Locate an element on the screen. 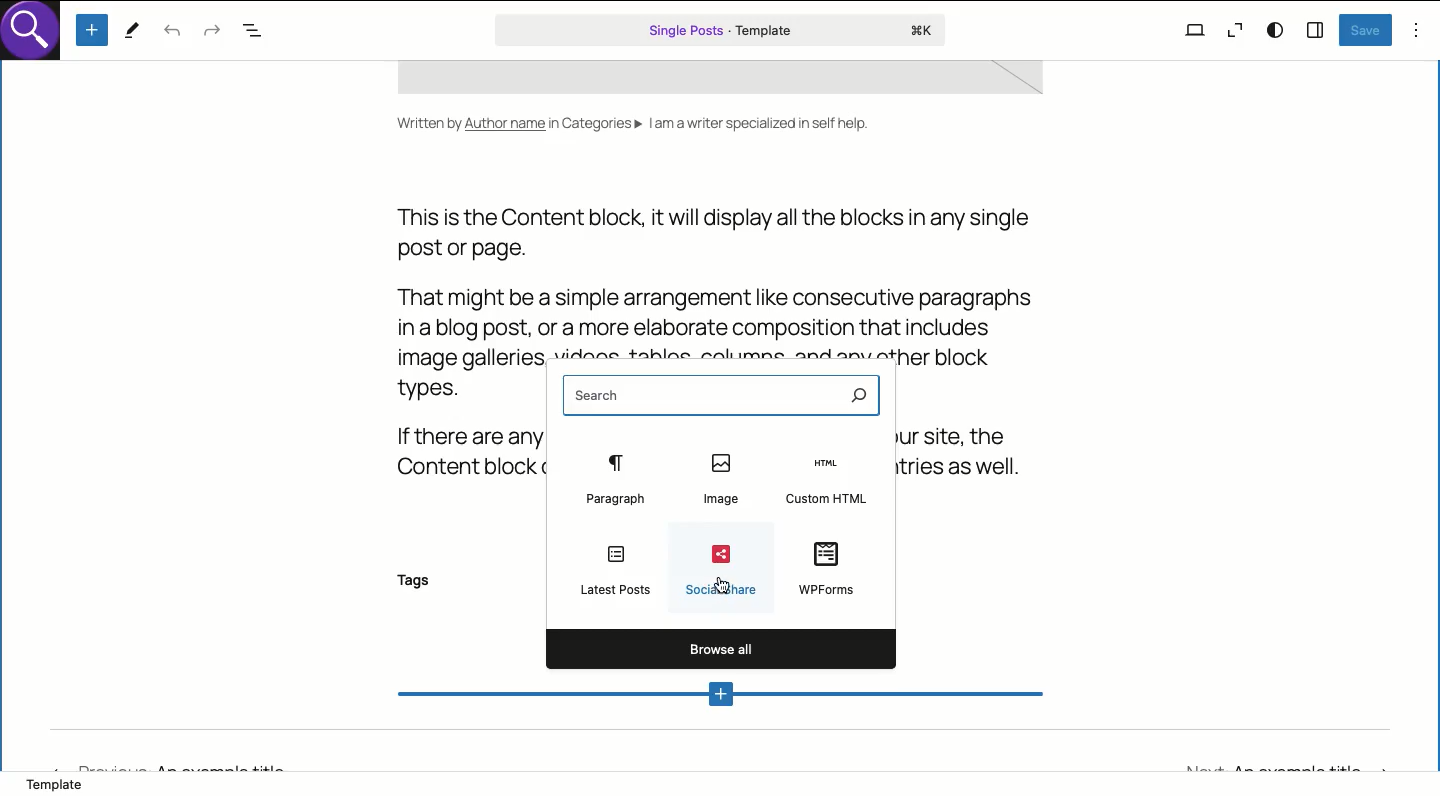  Undo is located at coordinates (172, 32).